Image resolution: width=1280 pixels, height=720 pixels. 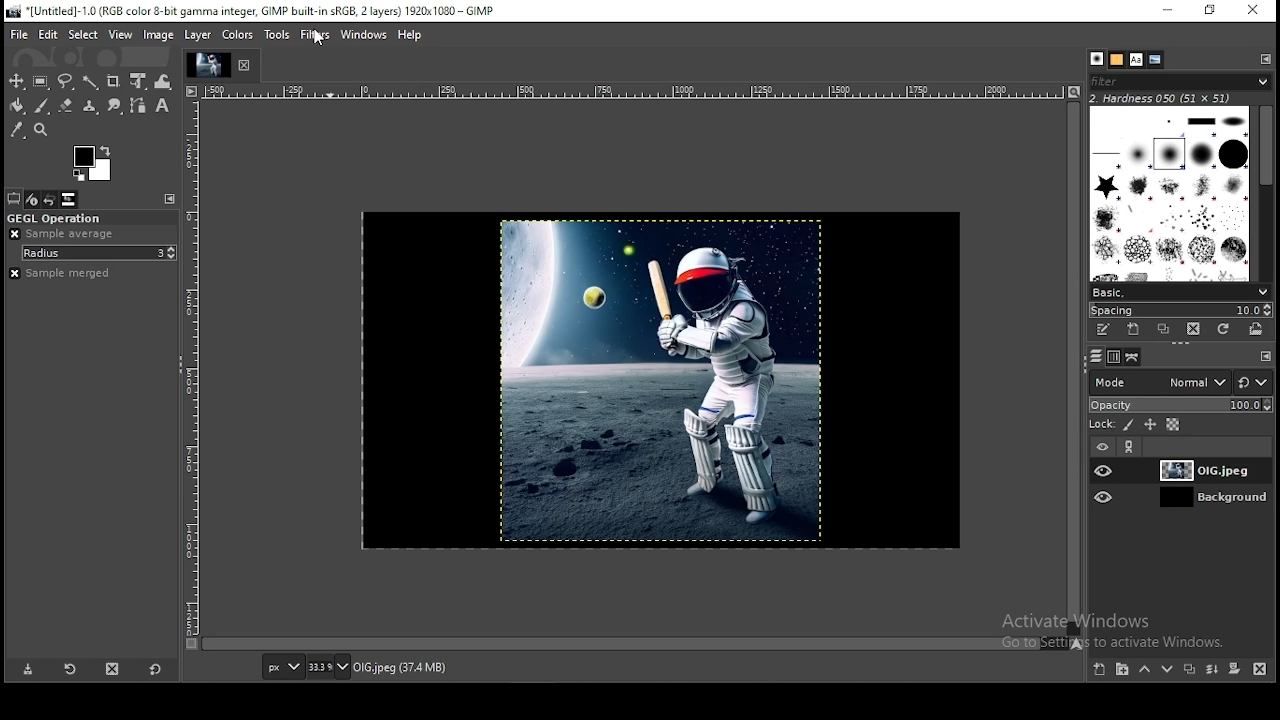 I want to click on delete this brush, so click(x=1193, y=329).